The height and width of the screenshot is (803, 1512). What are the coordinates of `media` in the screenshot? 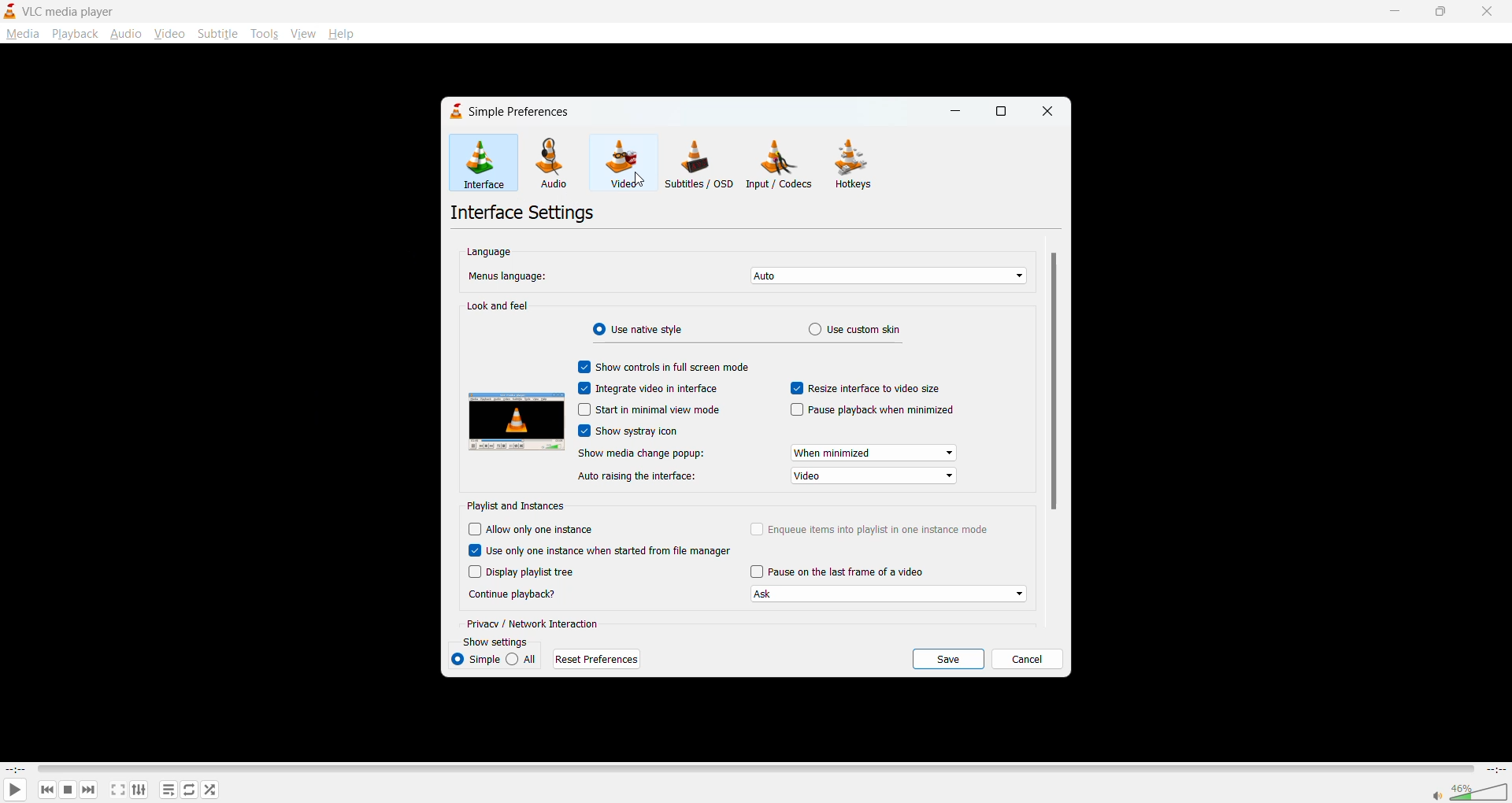 It's located at (22, 33).